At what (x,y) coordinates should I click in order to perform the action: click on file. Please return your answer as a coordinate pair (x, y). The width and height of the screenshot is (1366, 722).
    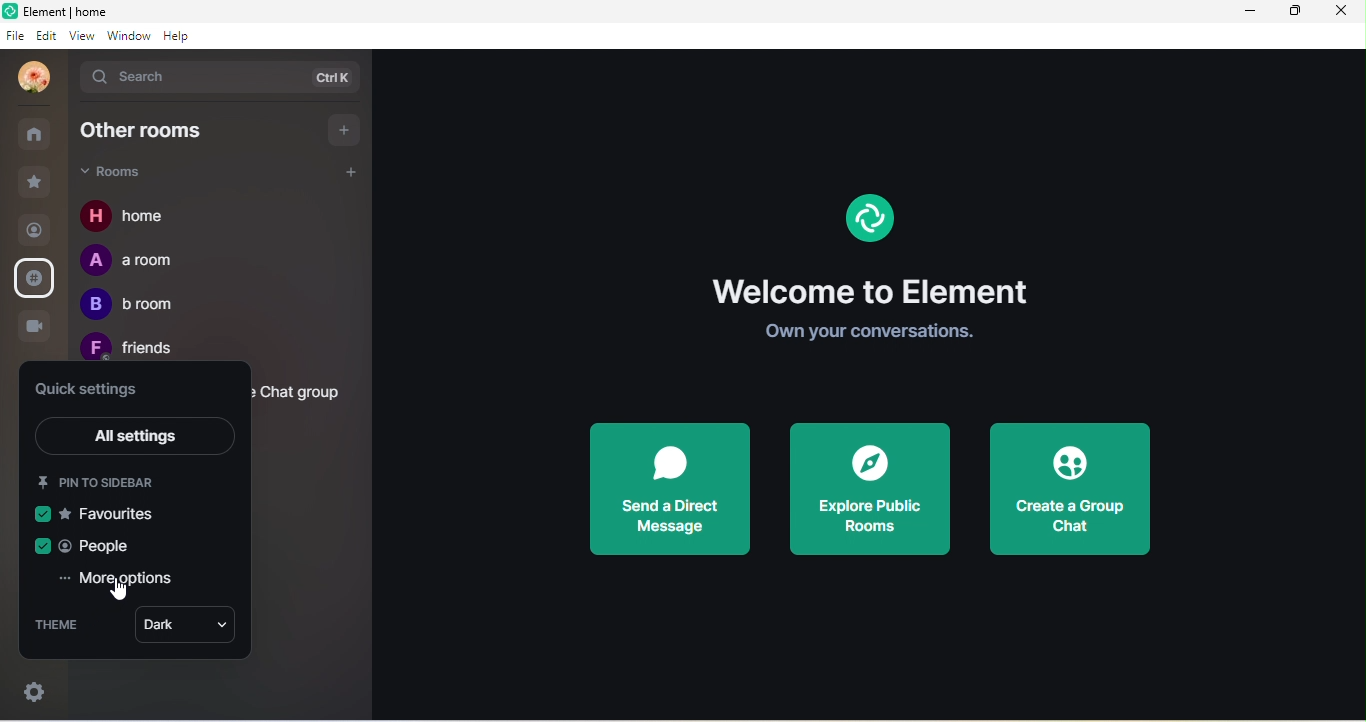
    Looking at the image, I should click on (17, 38).